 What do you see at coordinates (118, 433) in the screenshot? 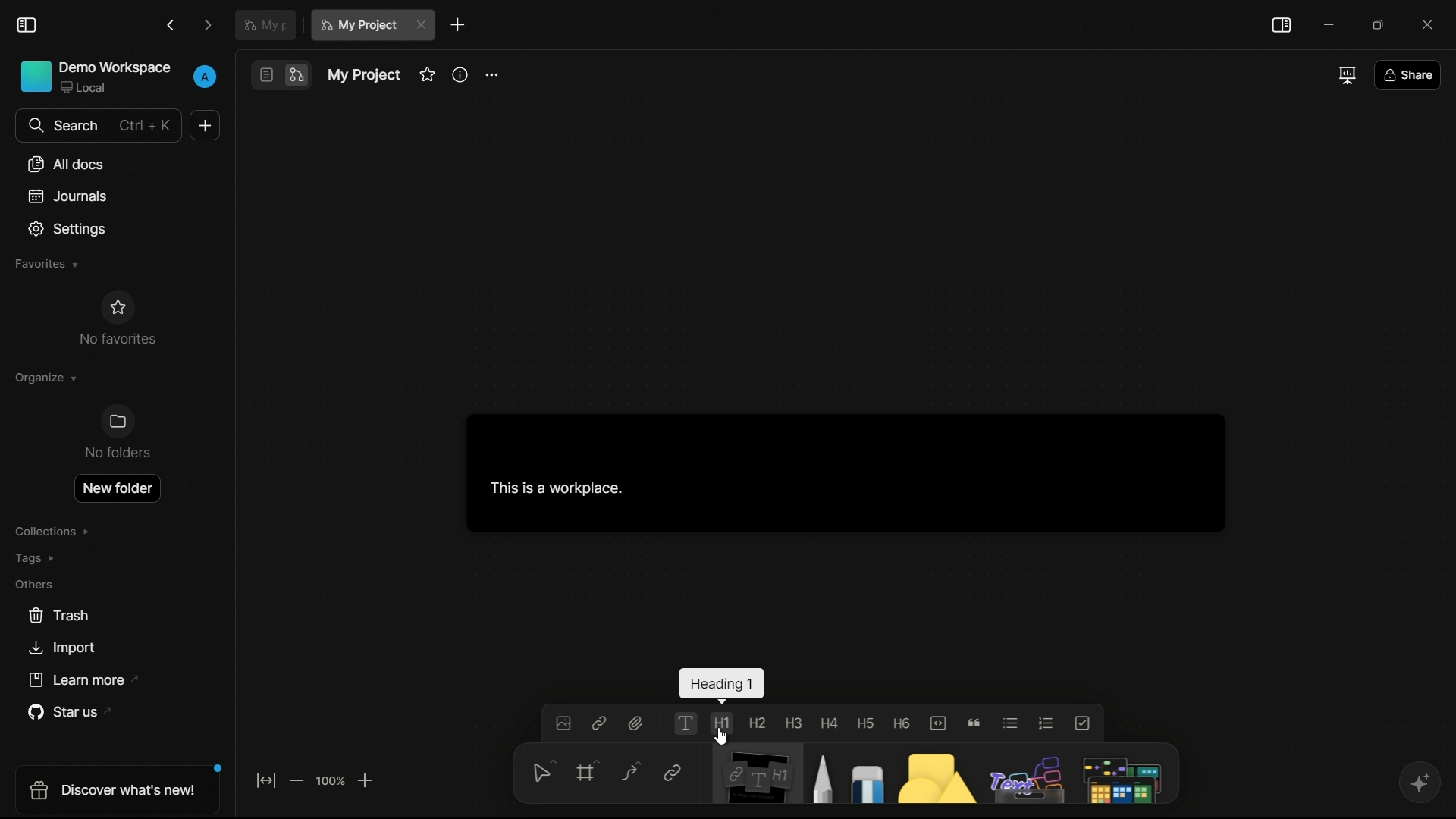
I see `no folders` at bounding box center [118, 433].